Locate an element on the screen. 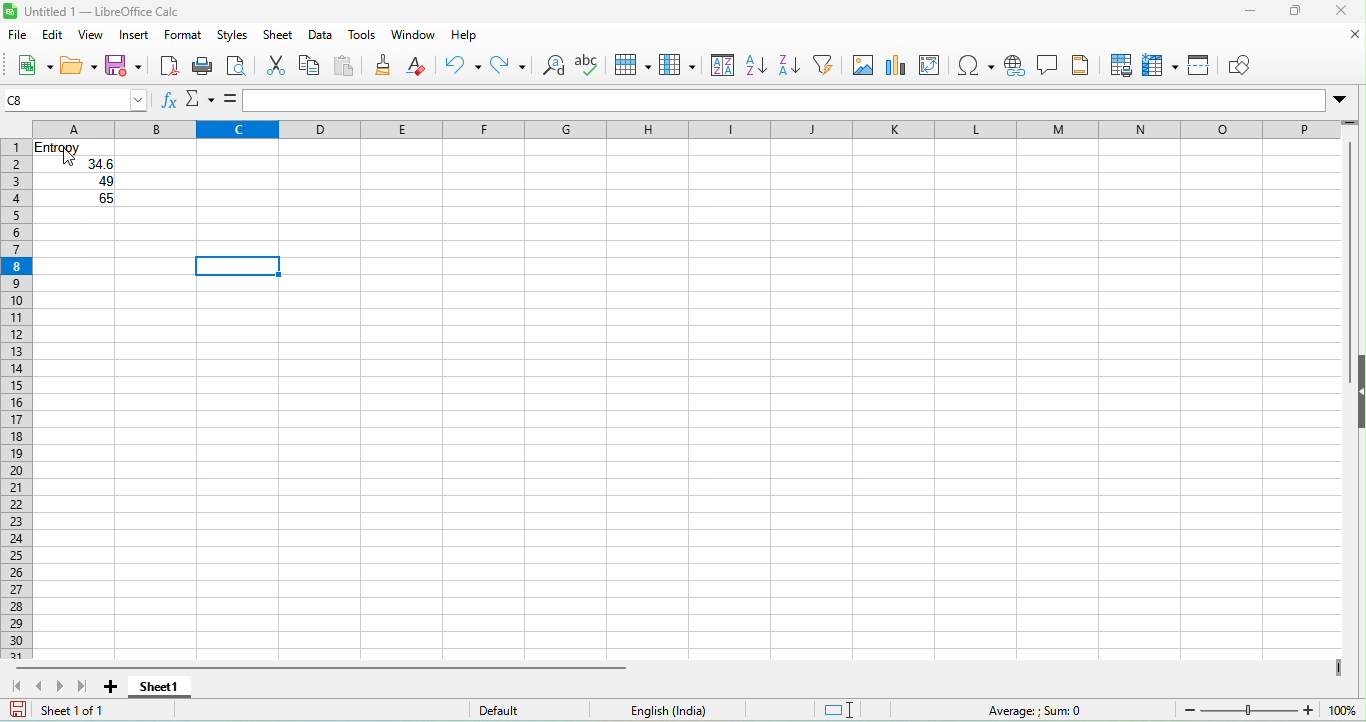  headers and footers is located at coordinates (1086, 67).